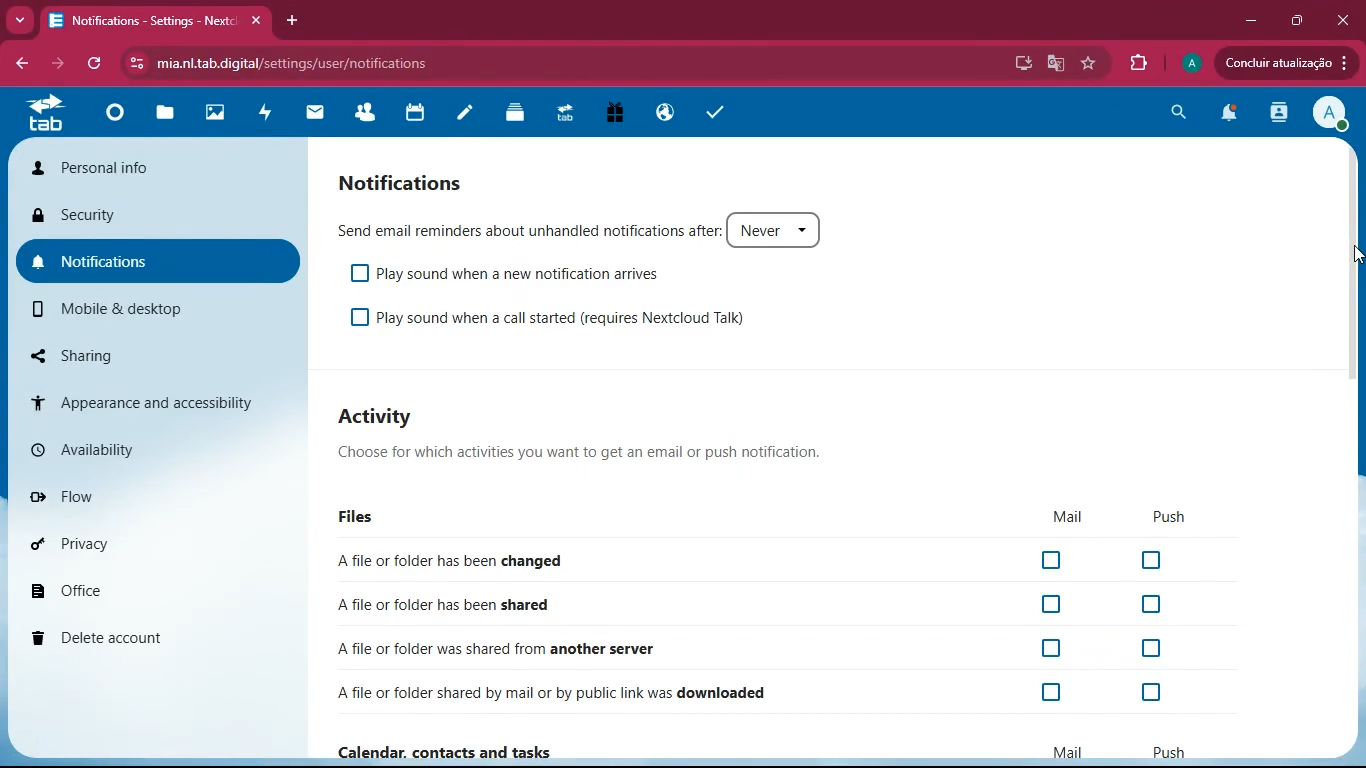  I want to click on extension, so click(1138, 60).